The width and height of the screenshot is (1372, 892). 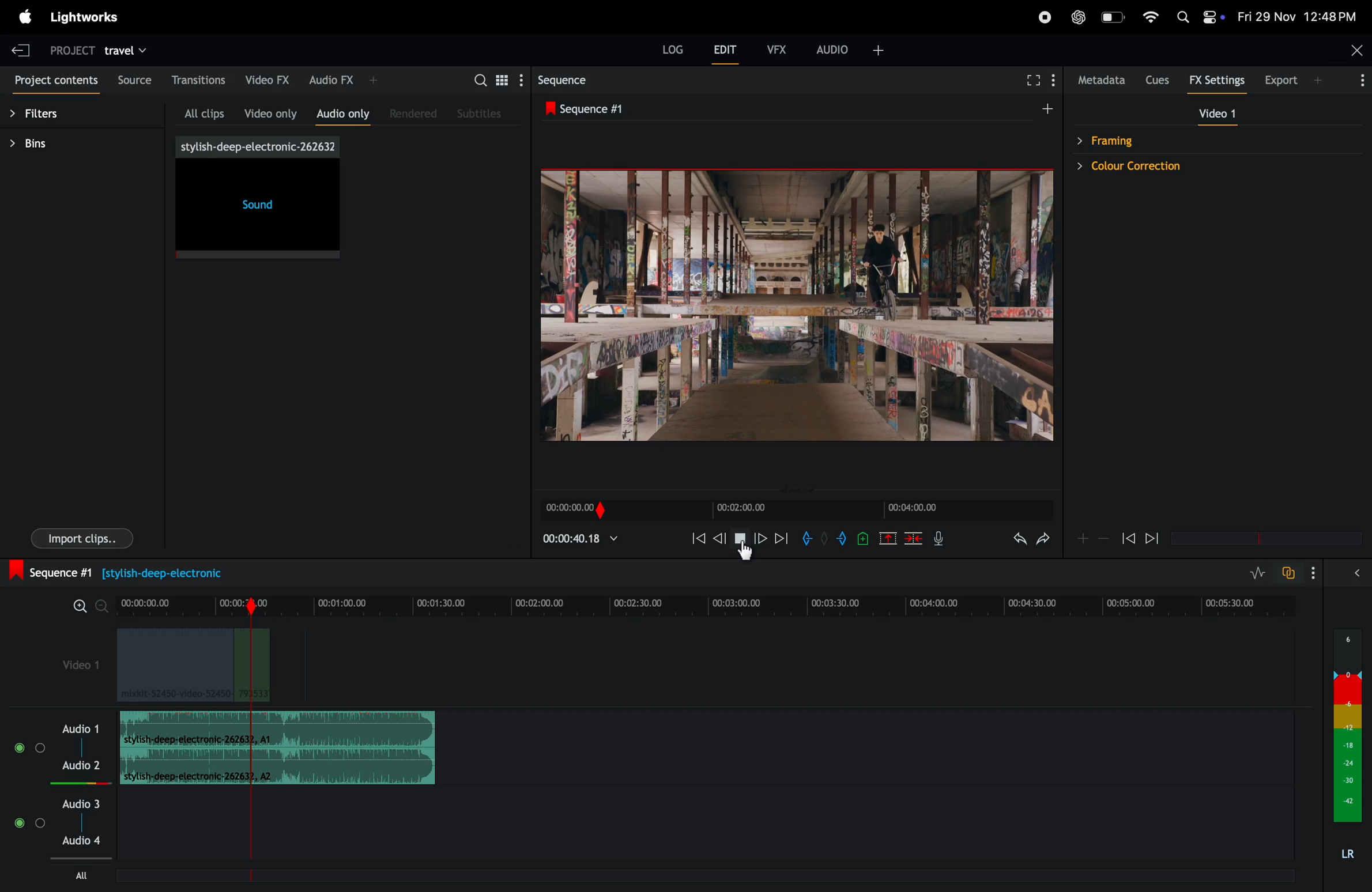 I want to click on sound effect, so click(x=260, y=198).